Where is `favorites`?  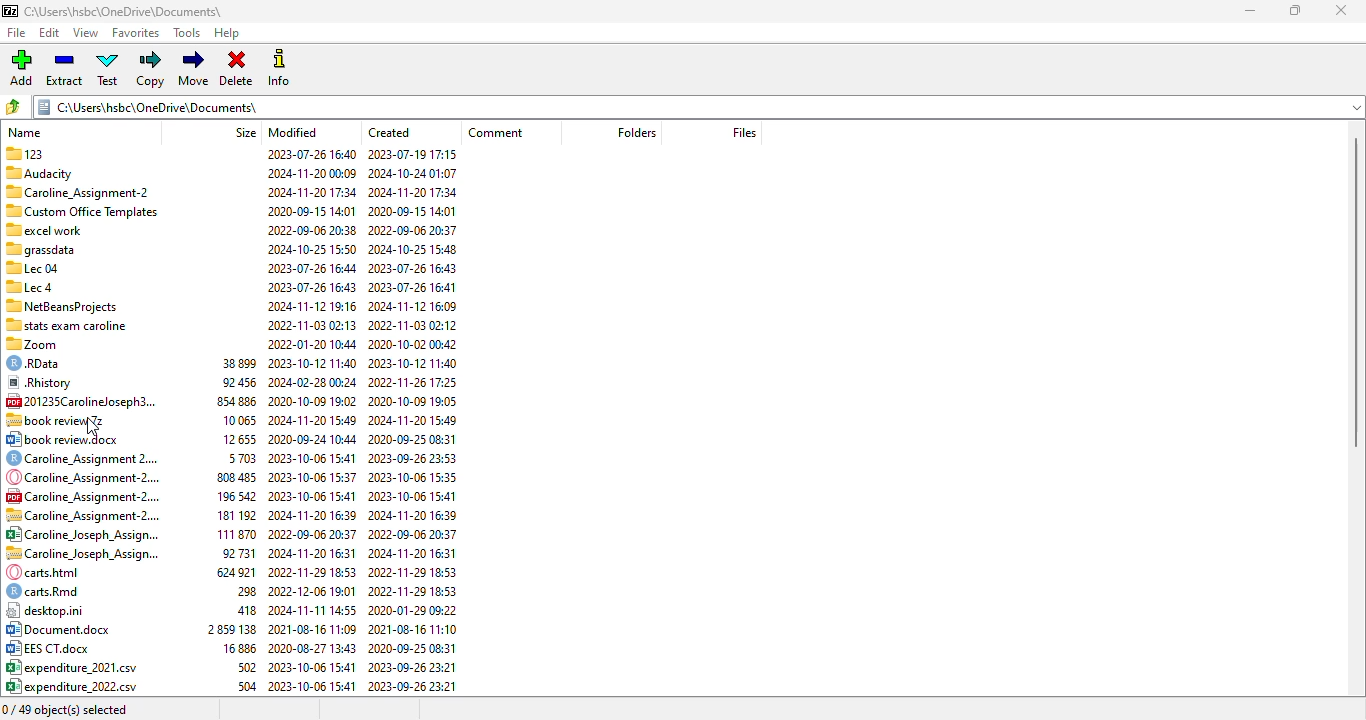
favorites is located at coordinates (136, 33).